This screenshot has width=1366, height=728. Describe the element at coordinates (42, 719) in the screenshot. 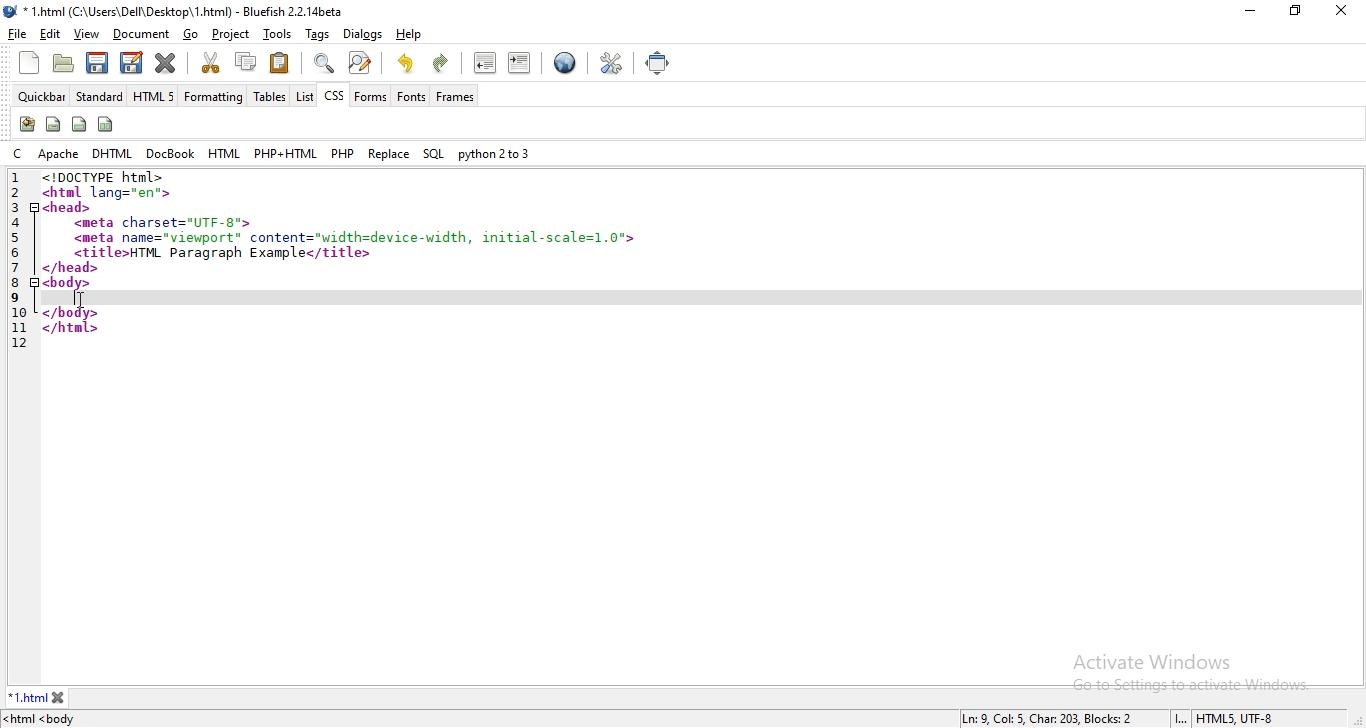

I see `<html <body` at that location.